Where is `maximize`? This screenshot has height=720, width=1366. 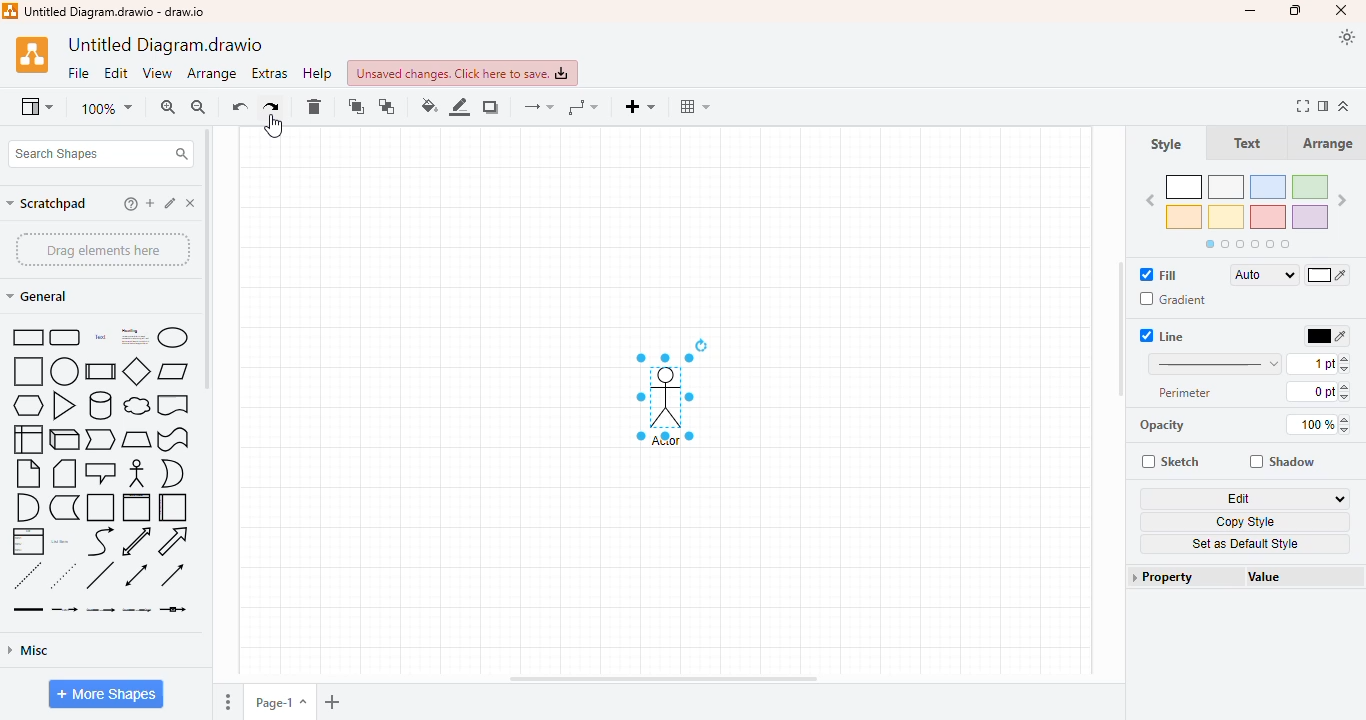
maximize is located at coordinates (1297, 10).